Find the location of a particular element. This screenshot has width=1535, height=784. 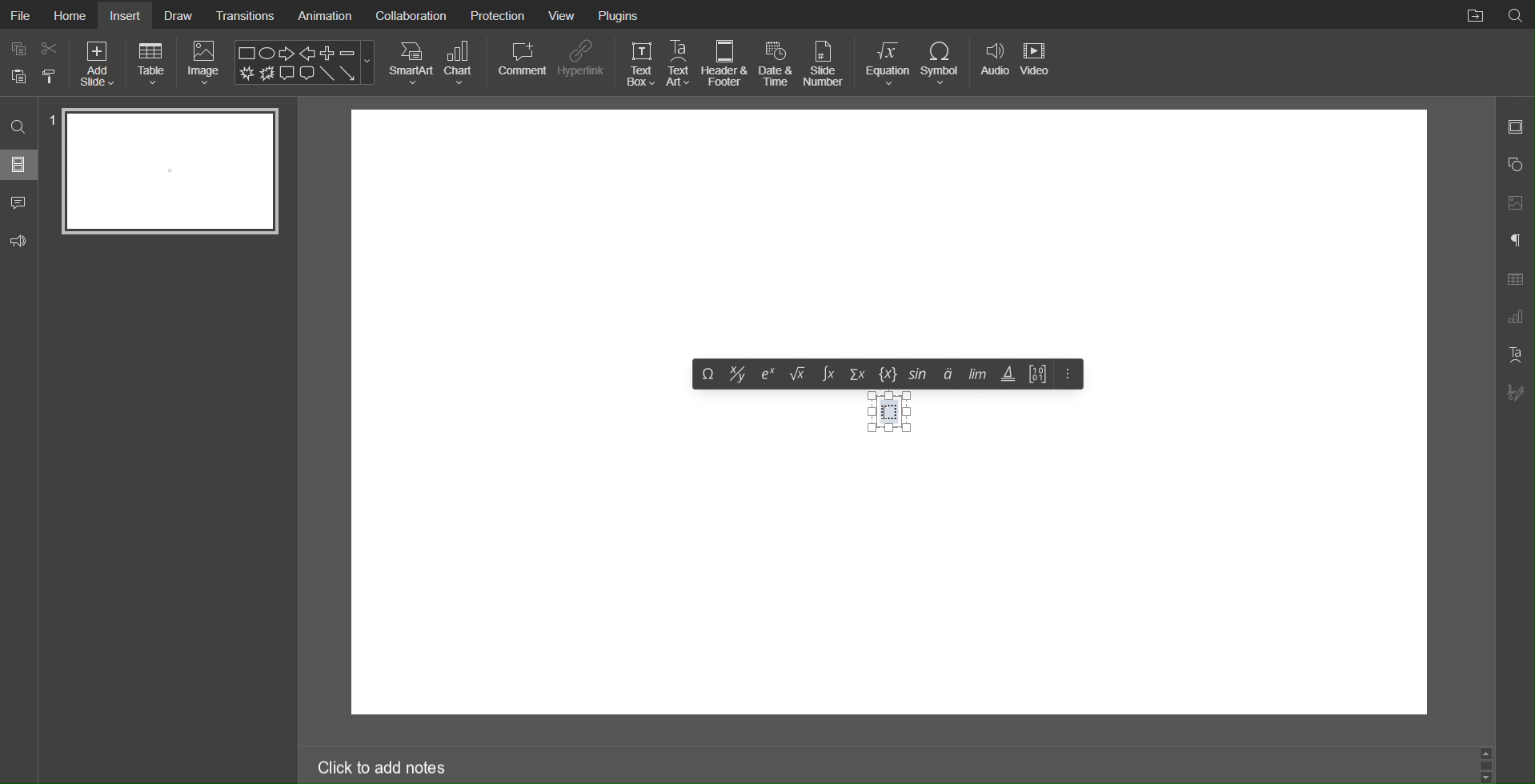

Comment is located at coordinates (22, 202).